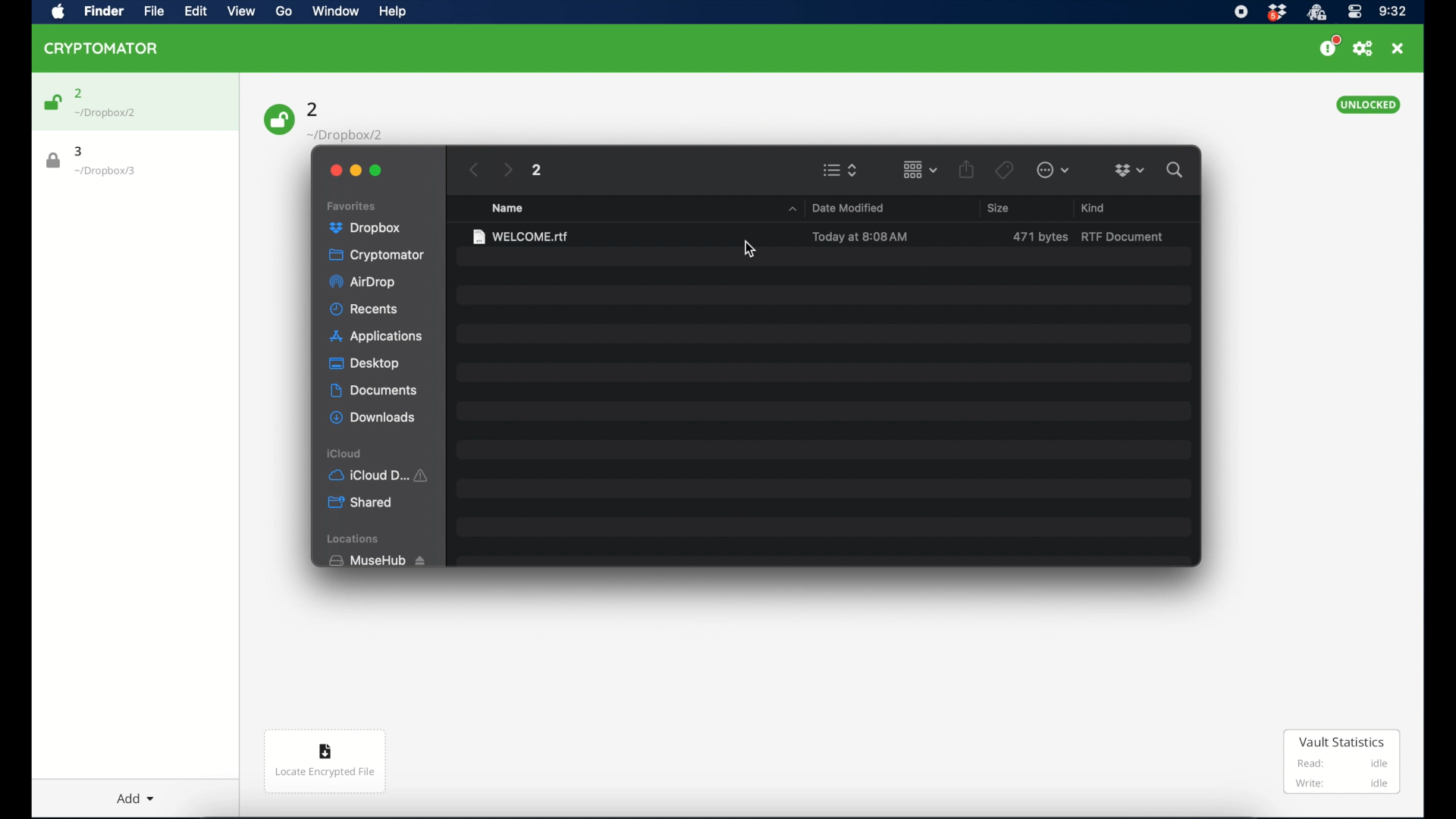 The width and height of the screenshot is (1456, 819). I want to click on tags, so click(1006, 169).